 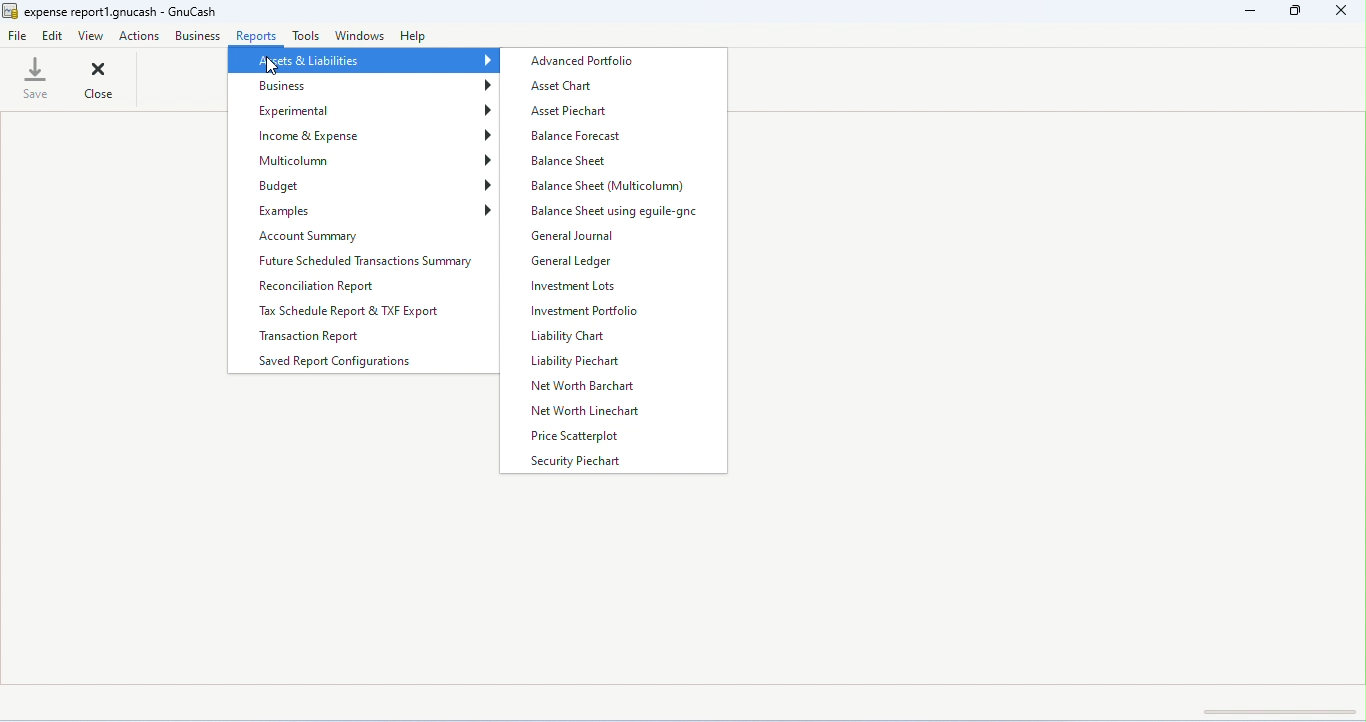 What do you see at coordinates (323, 286) in the screenshot?
I see `reconciliation report` at bounding box center [323, 286].